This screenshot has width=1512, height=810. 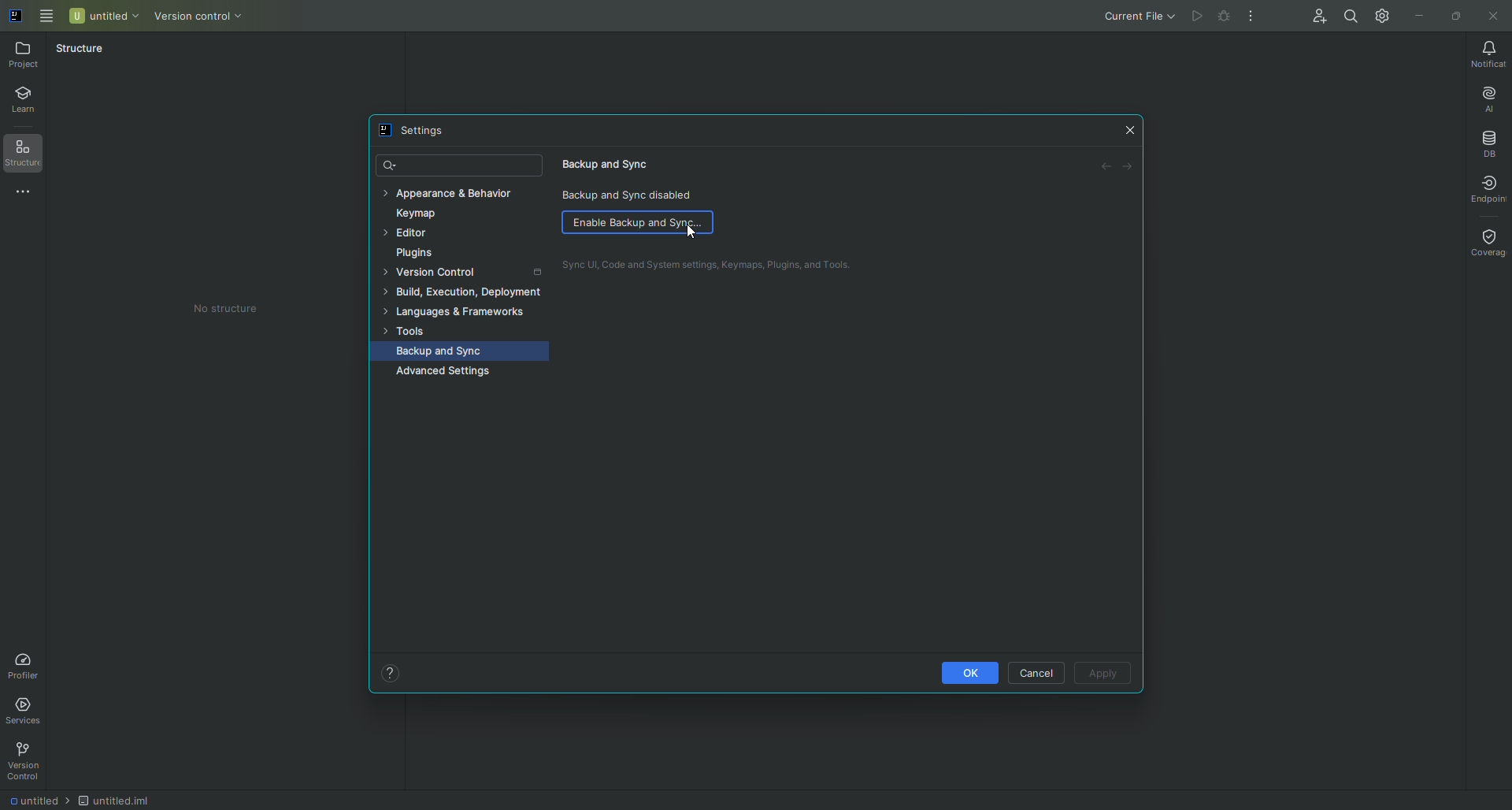 What do you see at coordinates (444, 372) in the screenshot?
I see `Advanced Settings` at bounding box center [444, 372].